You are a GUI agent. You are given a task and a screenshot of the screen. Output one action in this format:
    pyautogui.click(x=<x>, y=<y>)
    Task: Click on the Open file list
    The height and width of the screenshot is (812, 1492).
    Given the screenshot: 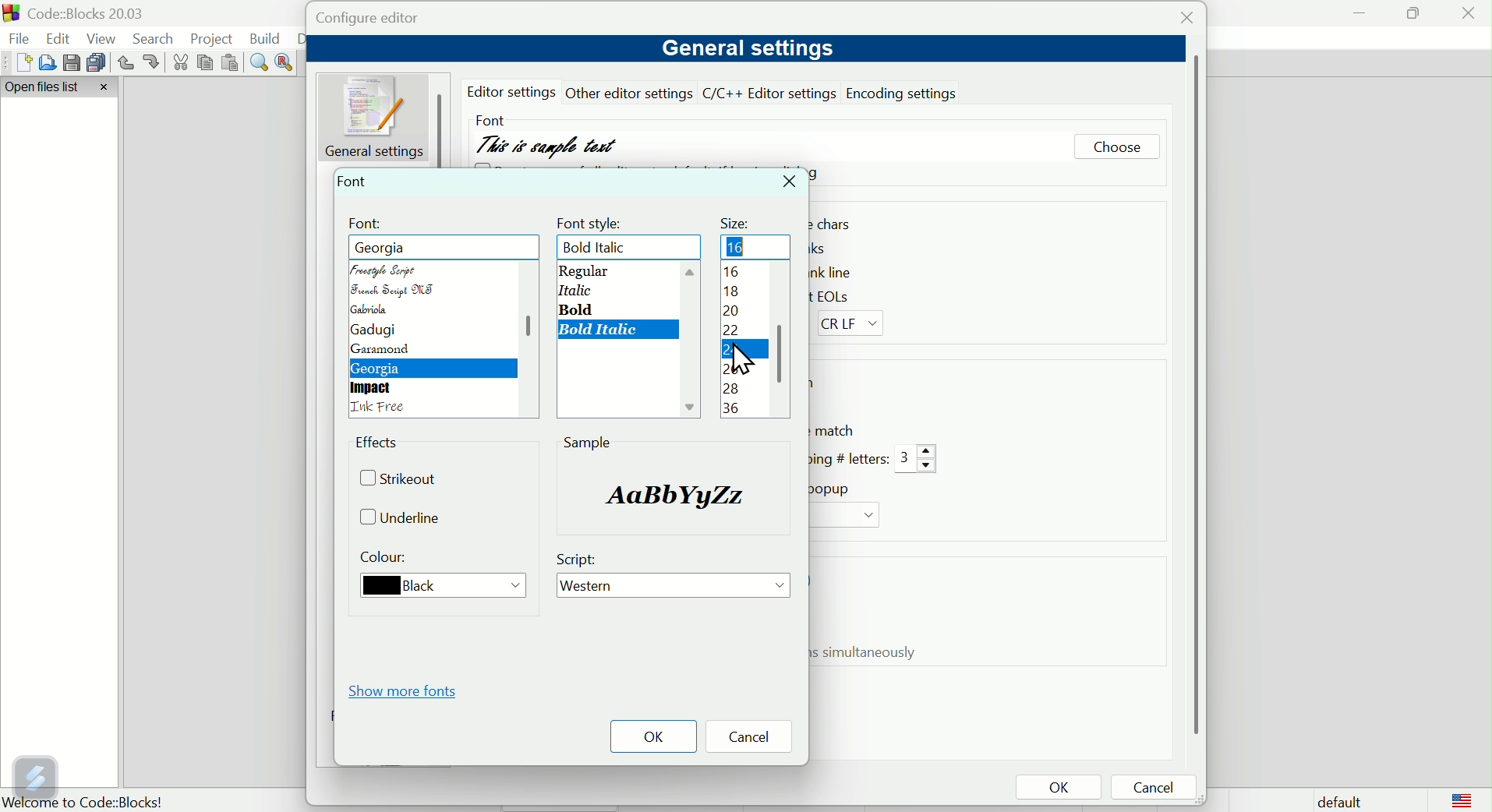 What is the action you would take?
    pyautogui.click(x=61, y=88)
    